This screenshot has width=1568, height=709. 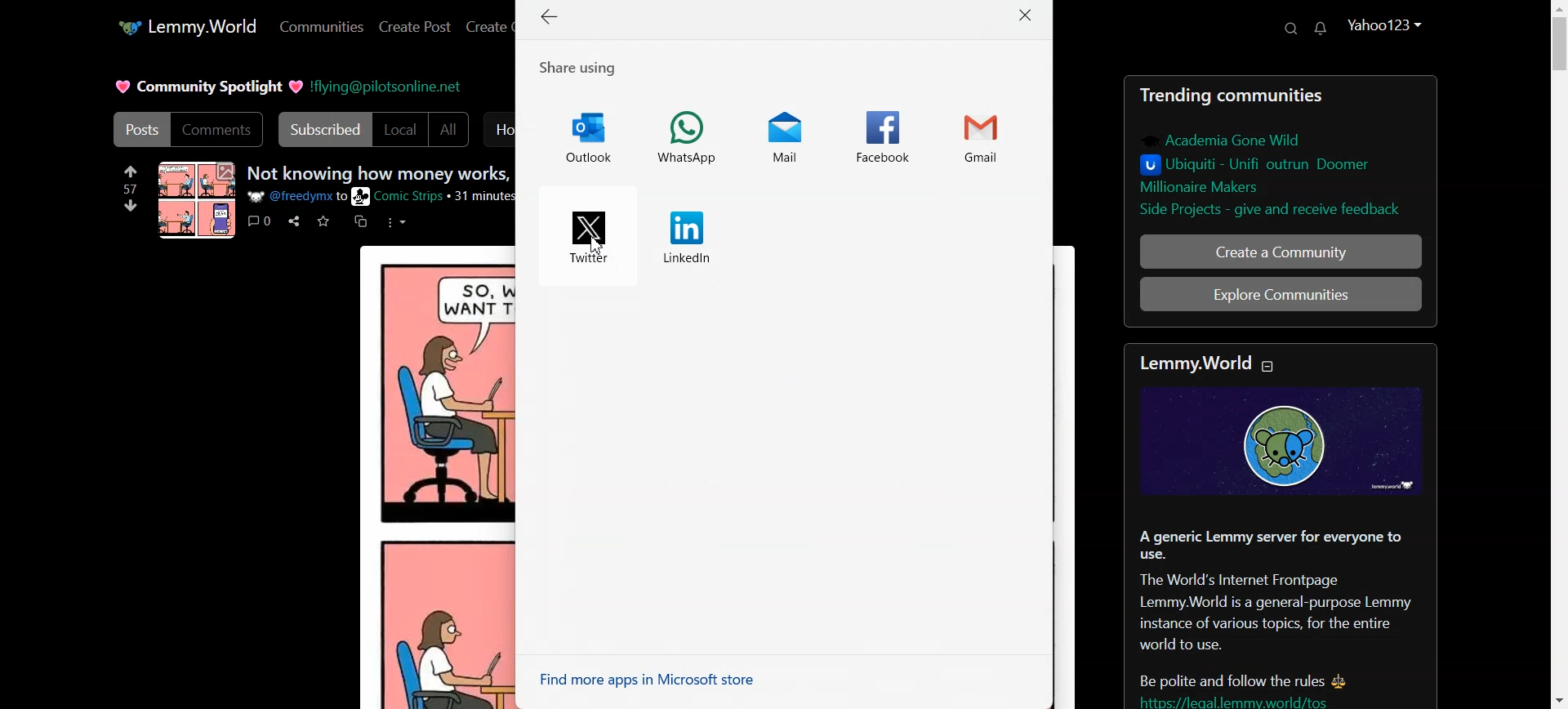 I want to click on Subscribed, so click(x=322, y=129).